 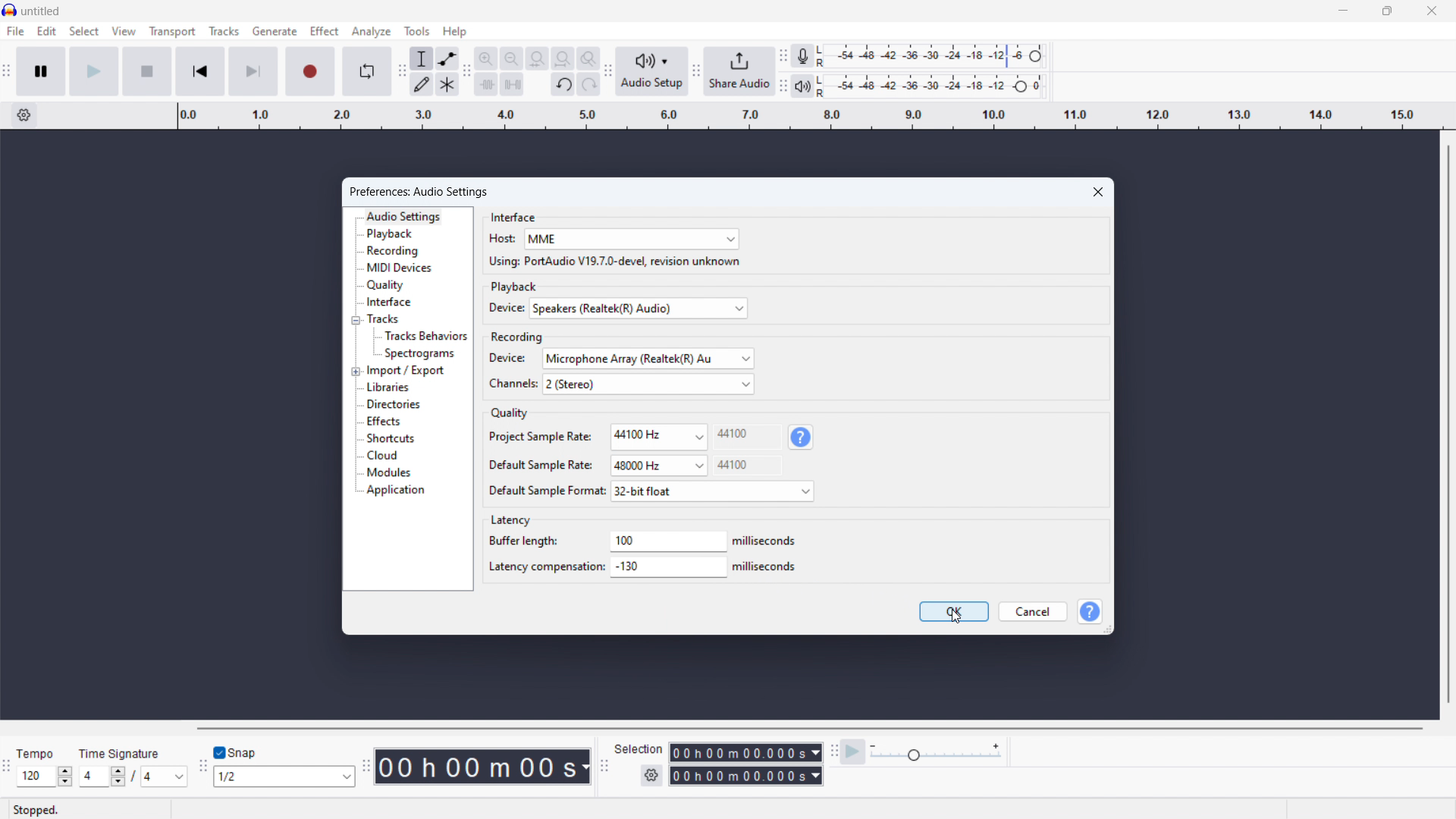 What do you see at coordinates (613, 262) in the screenshot?
I see `Using: port audio V19 .7 .0 devel, revision unknown ` at bounding box center [613, 262].